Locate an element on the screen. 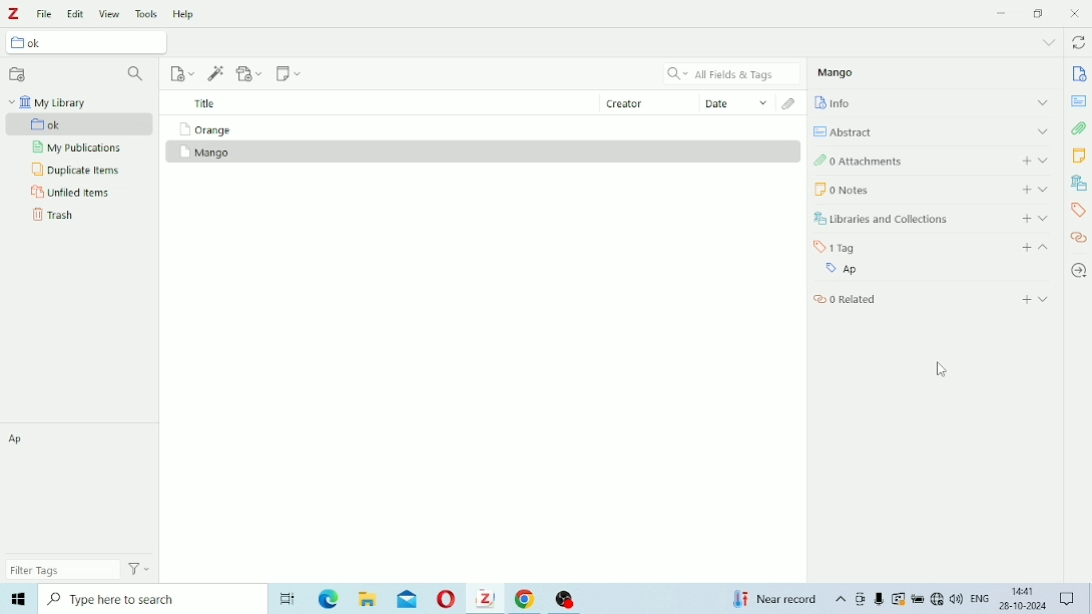 The height and width of the screenshot is (614, 1092). ENG is located at coordinates (983, 597).